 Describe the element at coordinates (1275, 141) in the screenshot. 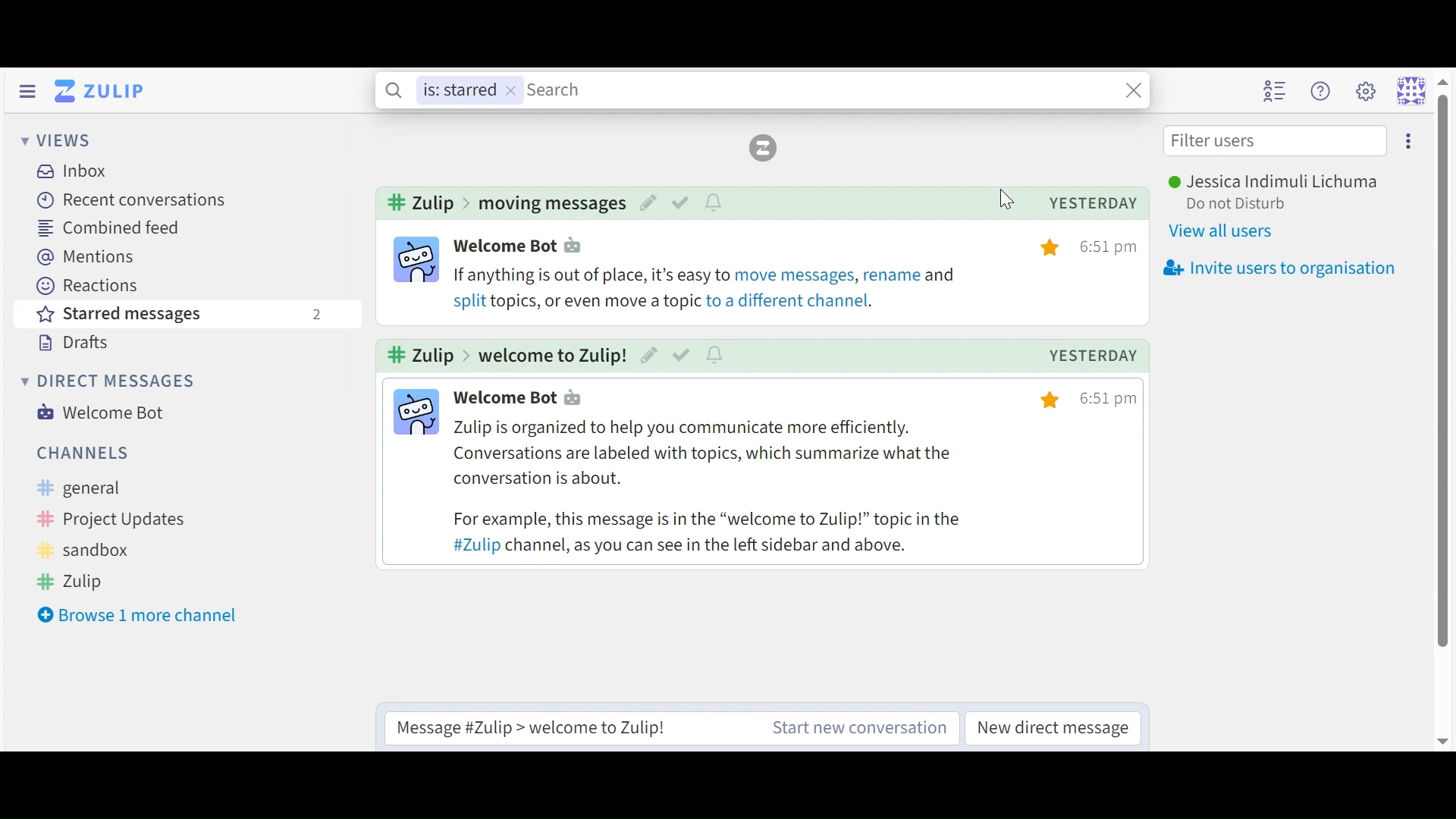

I see `Filter users` at that location.